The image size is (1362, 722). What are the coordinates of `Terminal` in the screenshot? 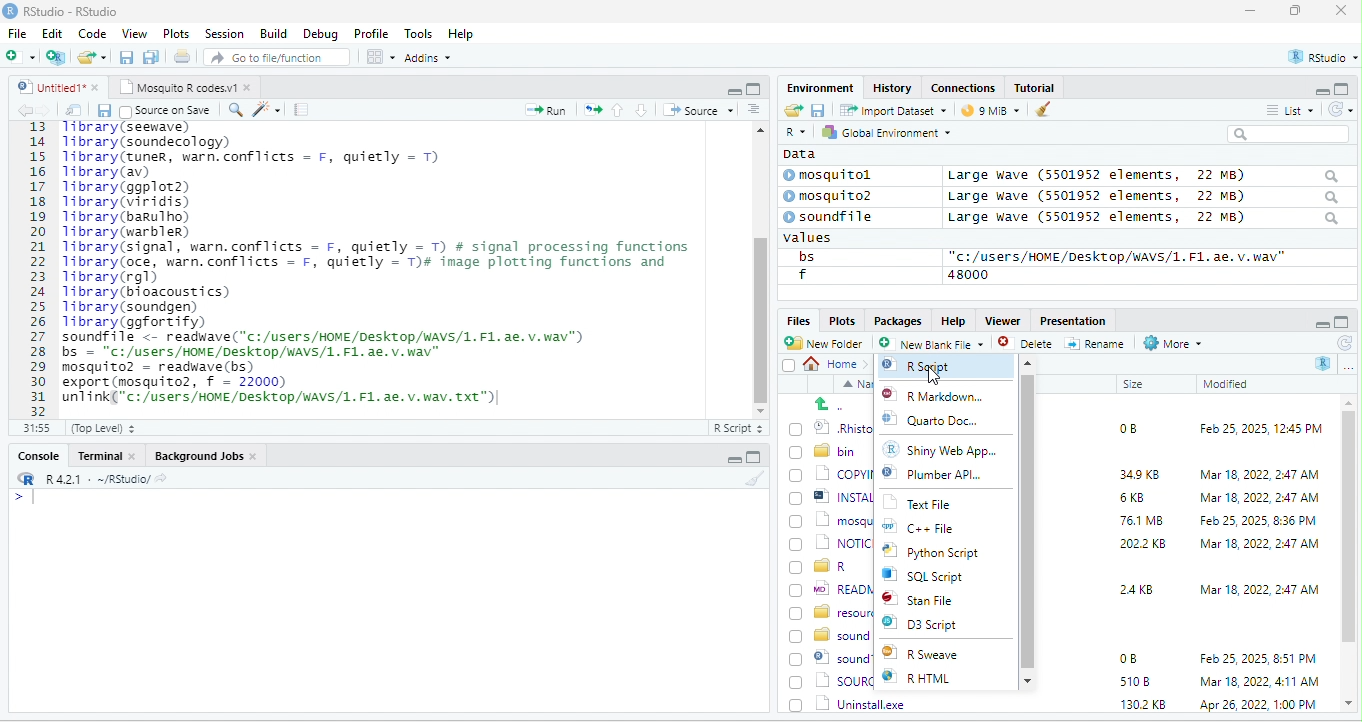 It's located at (107, 455).